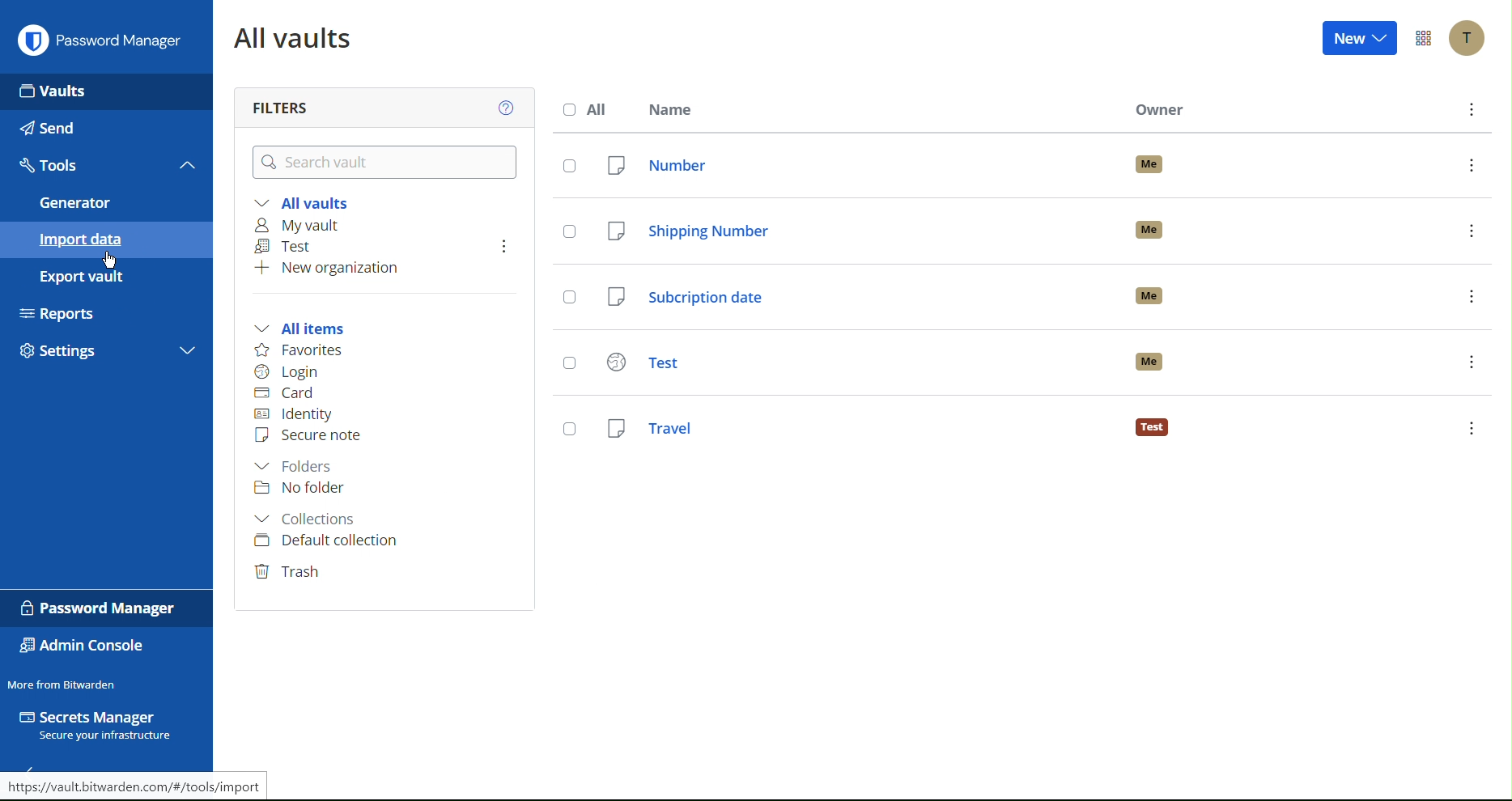 Image resolution: width=1512 pixels, height=801 pixels. I want to click on test, so click(854, 363).